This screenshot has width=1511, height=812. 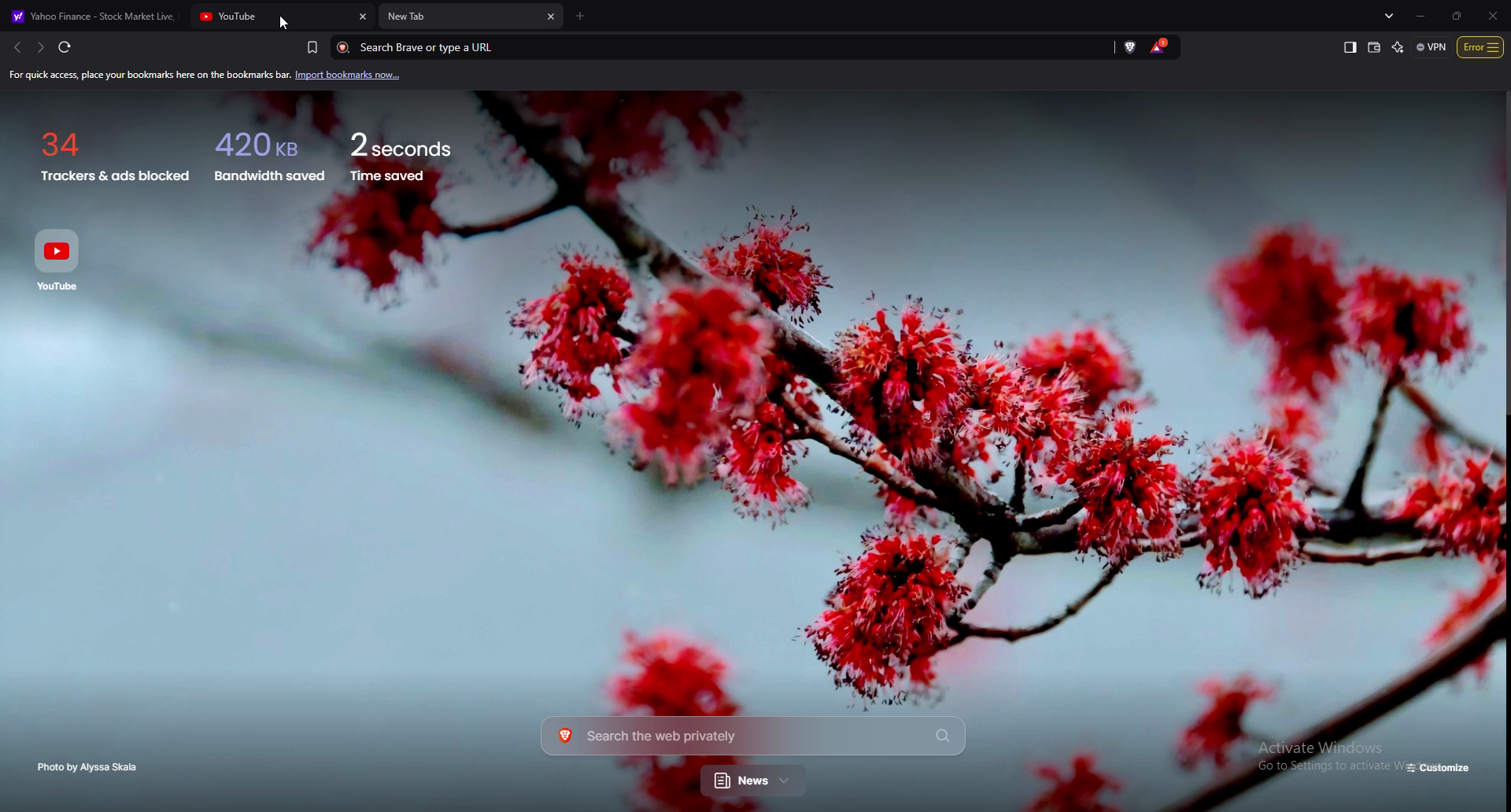 What do you see at coordinates (92, 767) in the screenshot?
I see `photo by Alyssa Skala` at bounding box center [92, 767].